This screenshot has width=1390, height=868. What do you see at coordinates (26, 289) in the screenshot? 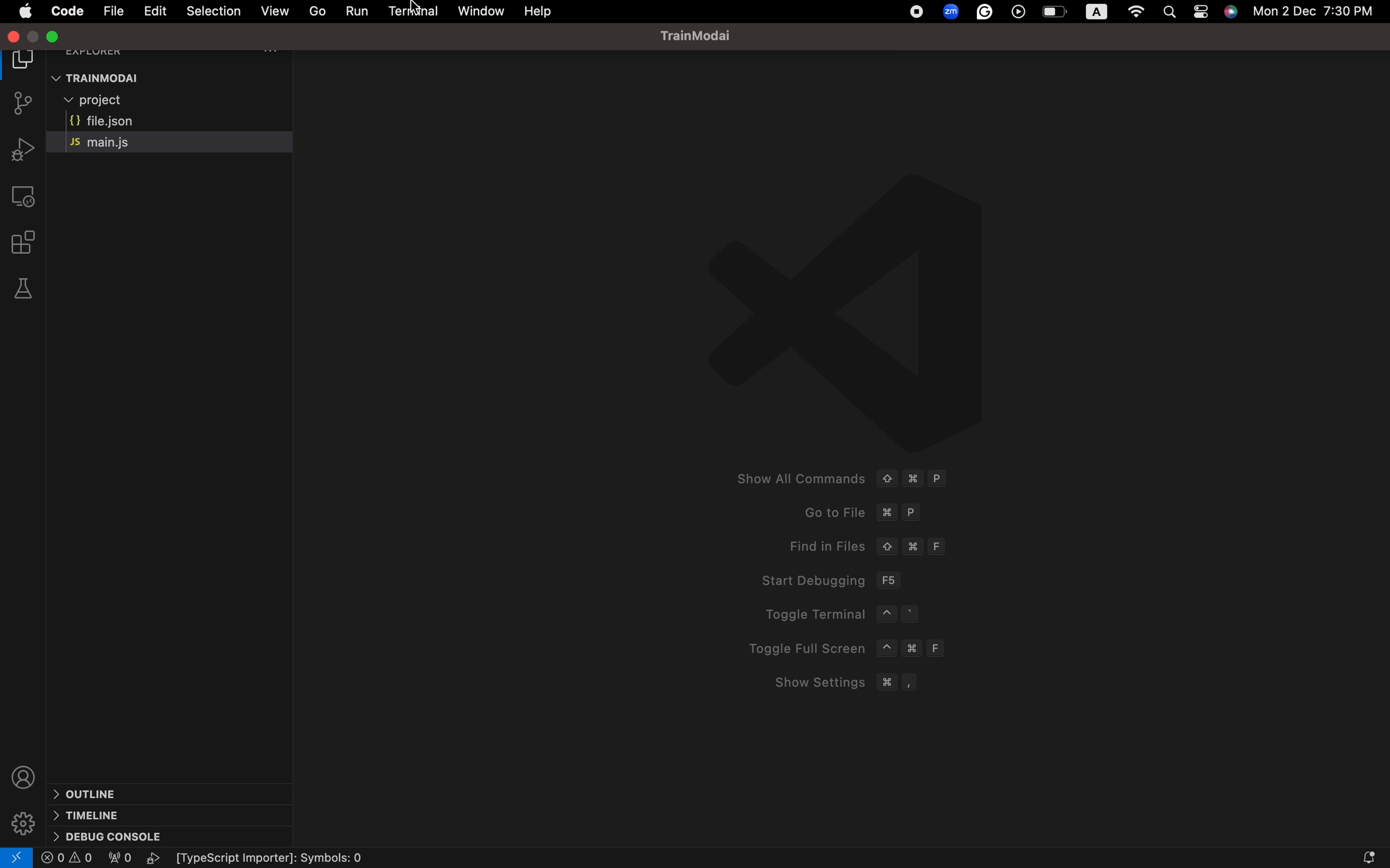
I see `tests` at bounding box center [26, 289].